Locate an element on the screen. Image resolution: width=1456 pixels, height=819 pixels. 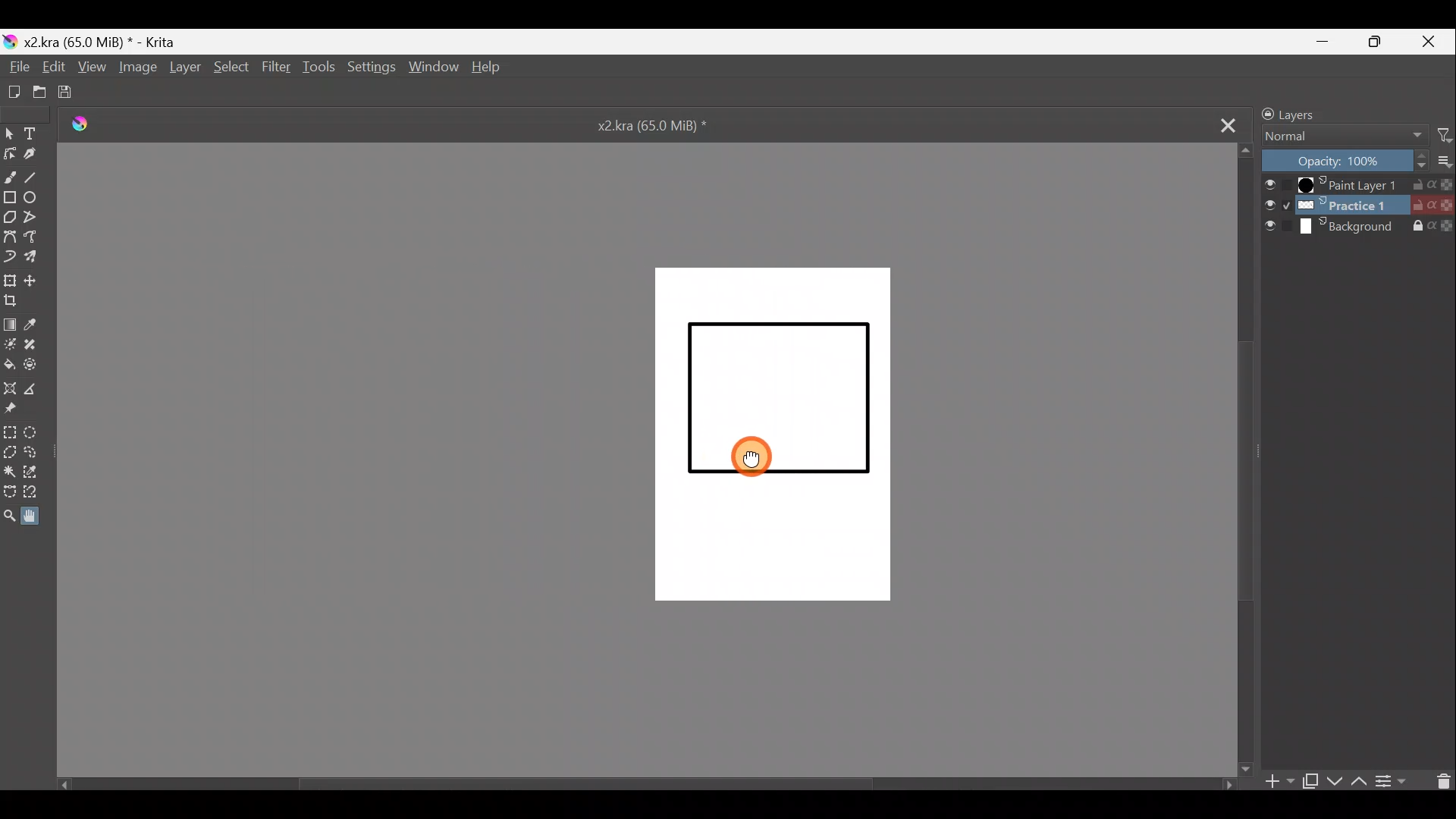
Canvas is located at coordinates (767, 433).